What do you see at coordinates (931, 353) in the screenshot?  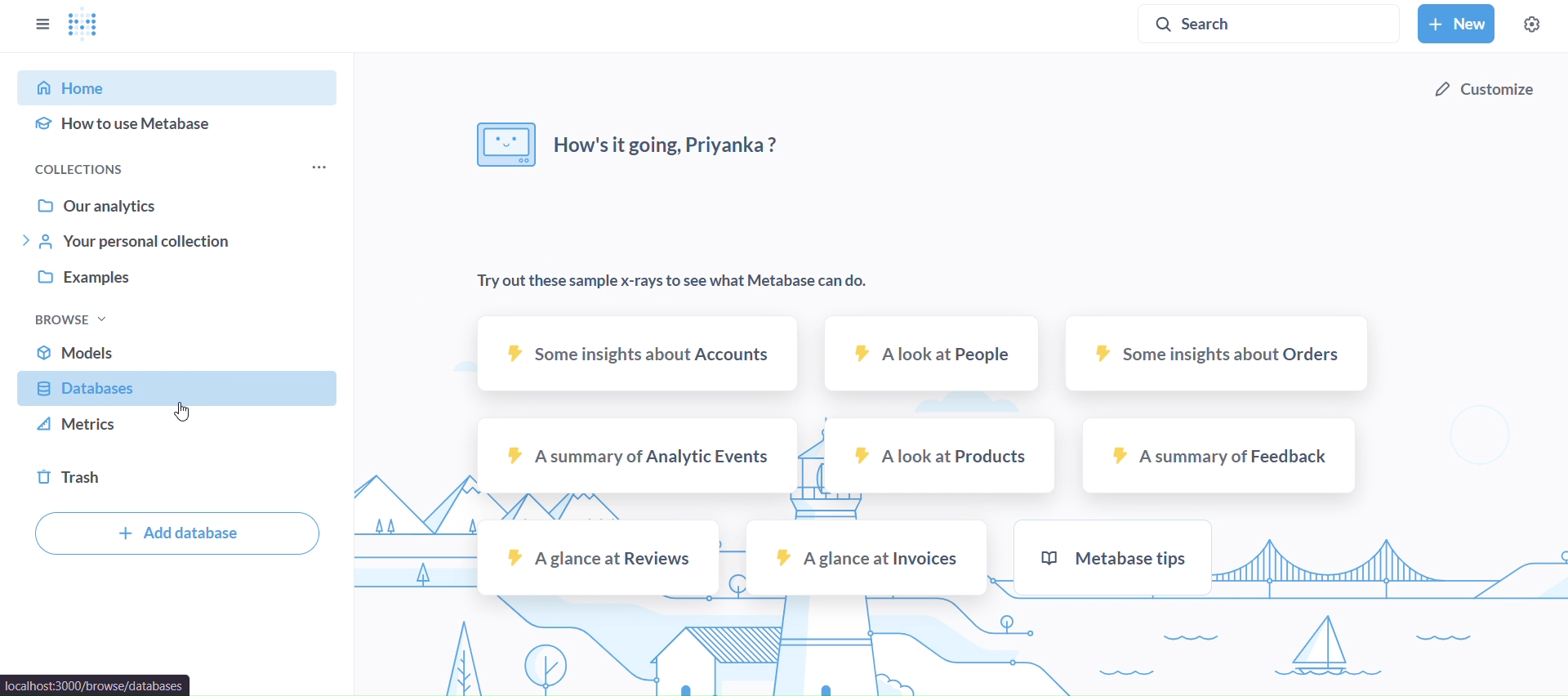 I see `a look at people` at bounding box center [931, 353].